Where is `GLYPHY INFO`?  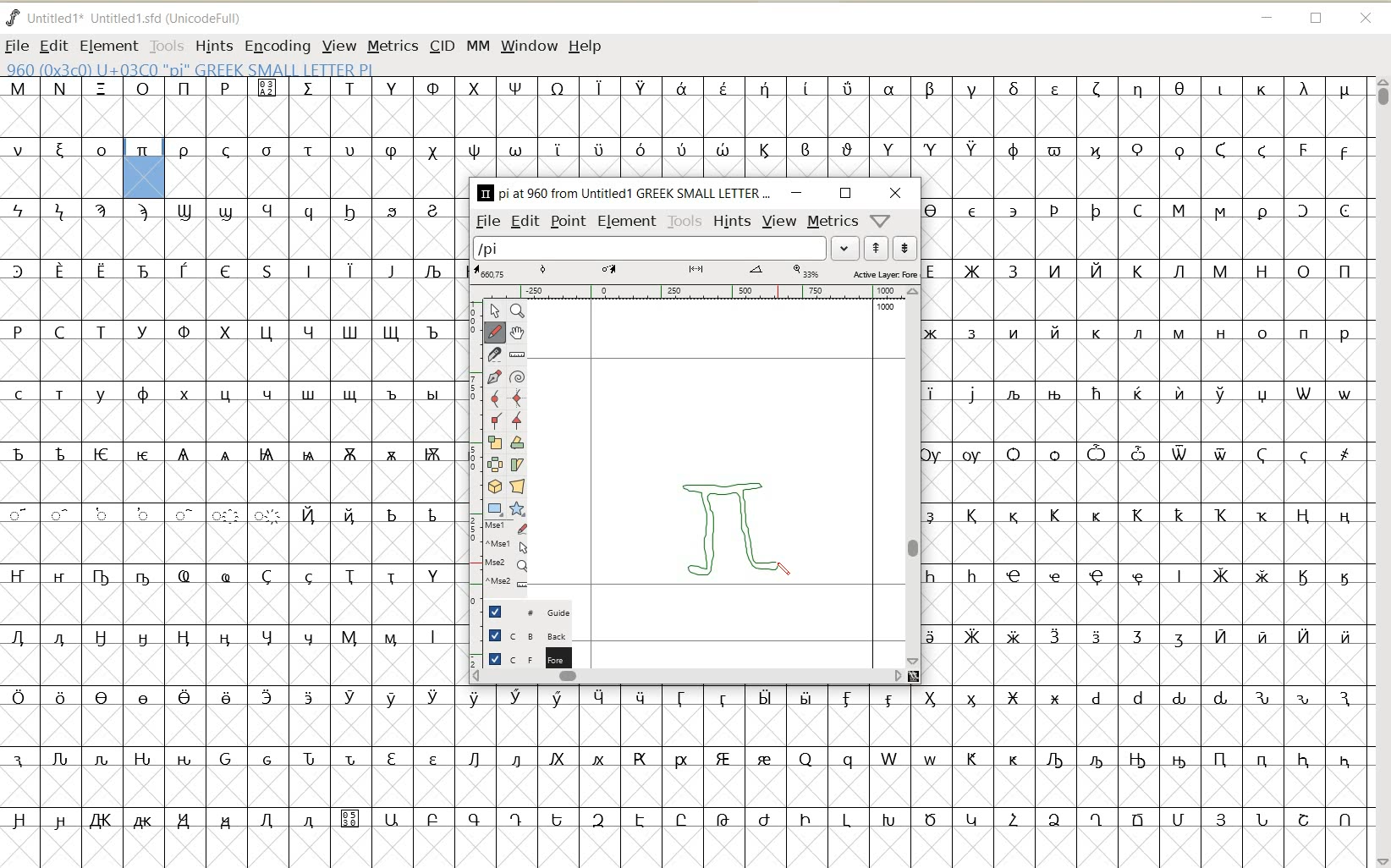 GLYPHY INFO is located at coordinates (190, 68).